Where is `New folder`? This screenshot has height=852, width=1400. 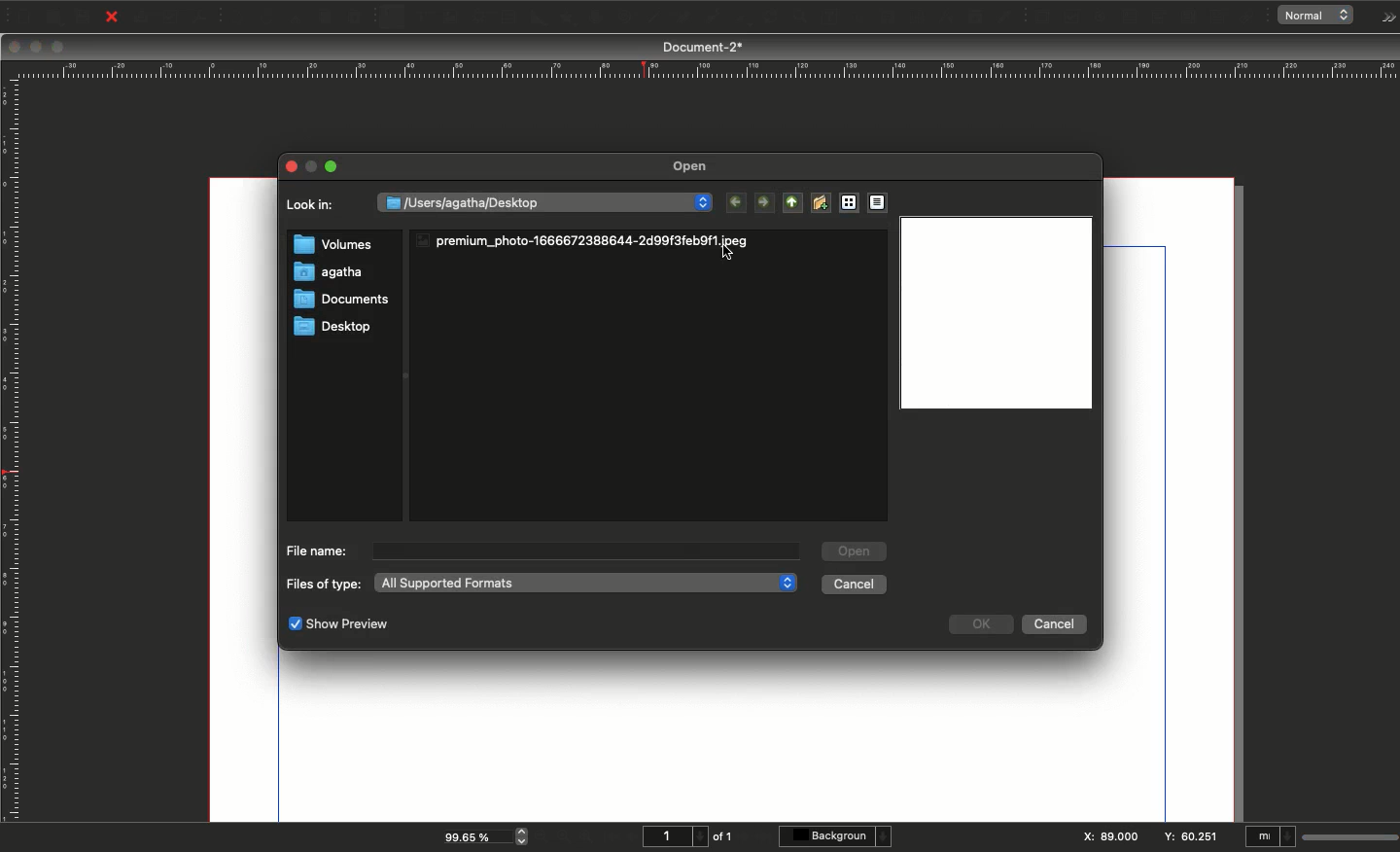 New folder is located at coordinates (820, 202).